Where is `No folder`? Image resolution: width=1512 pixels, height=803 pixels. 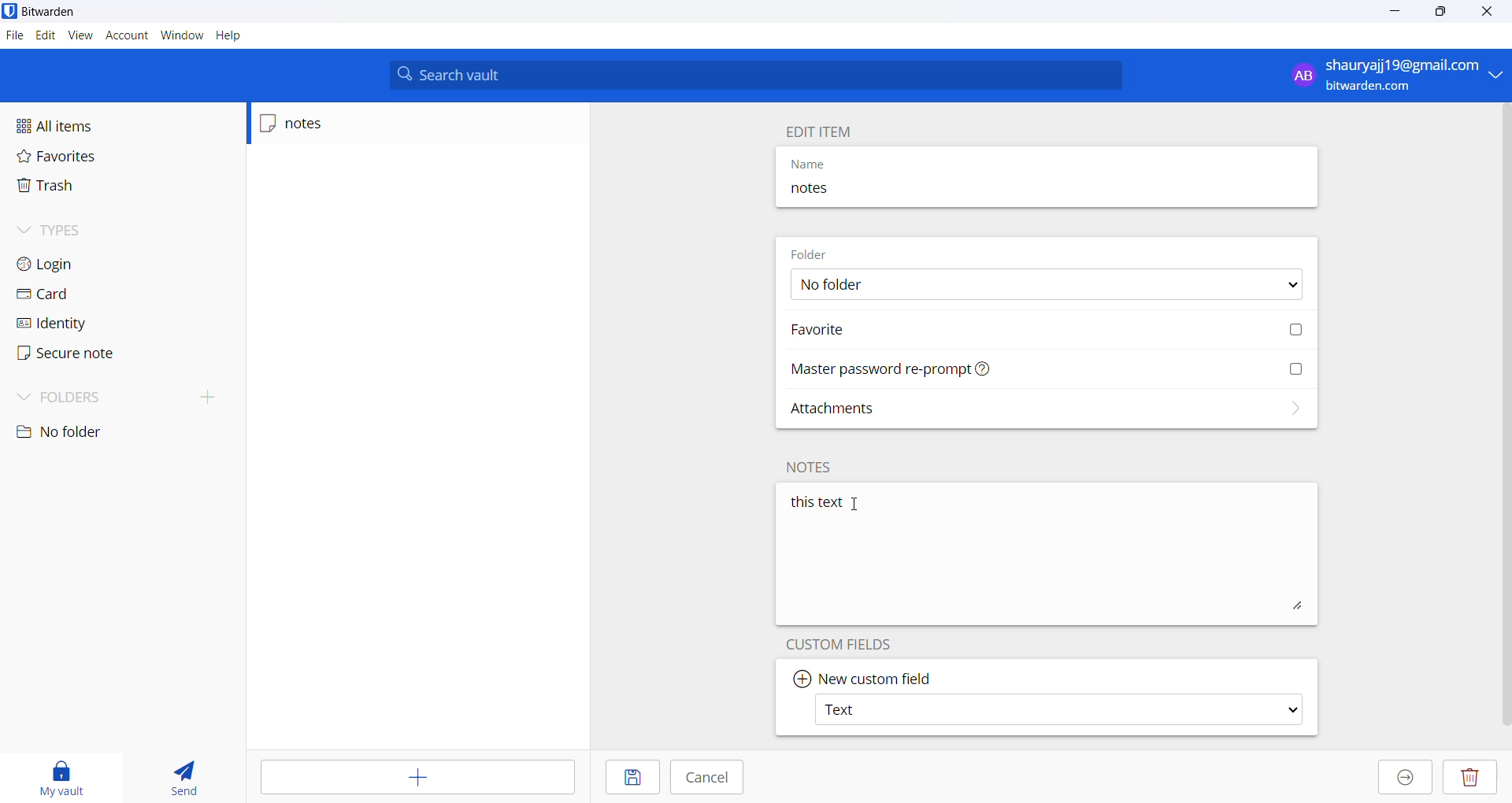 No folder is located at coordinates (1043, 287).